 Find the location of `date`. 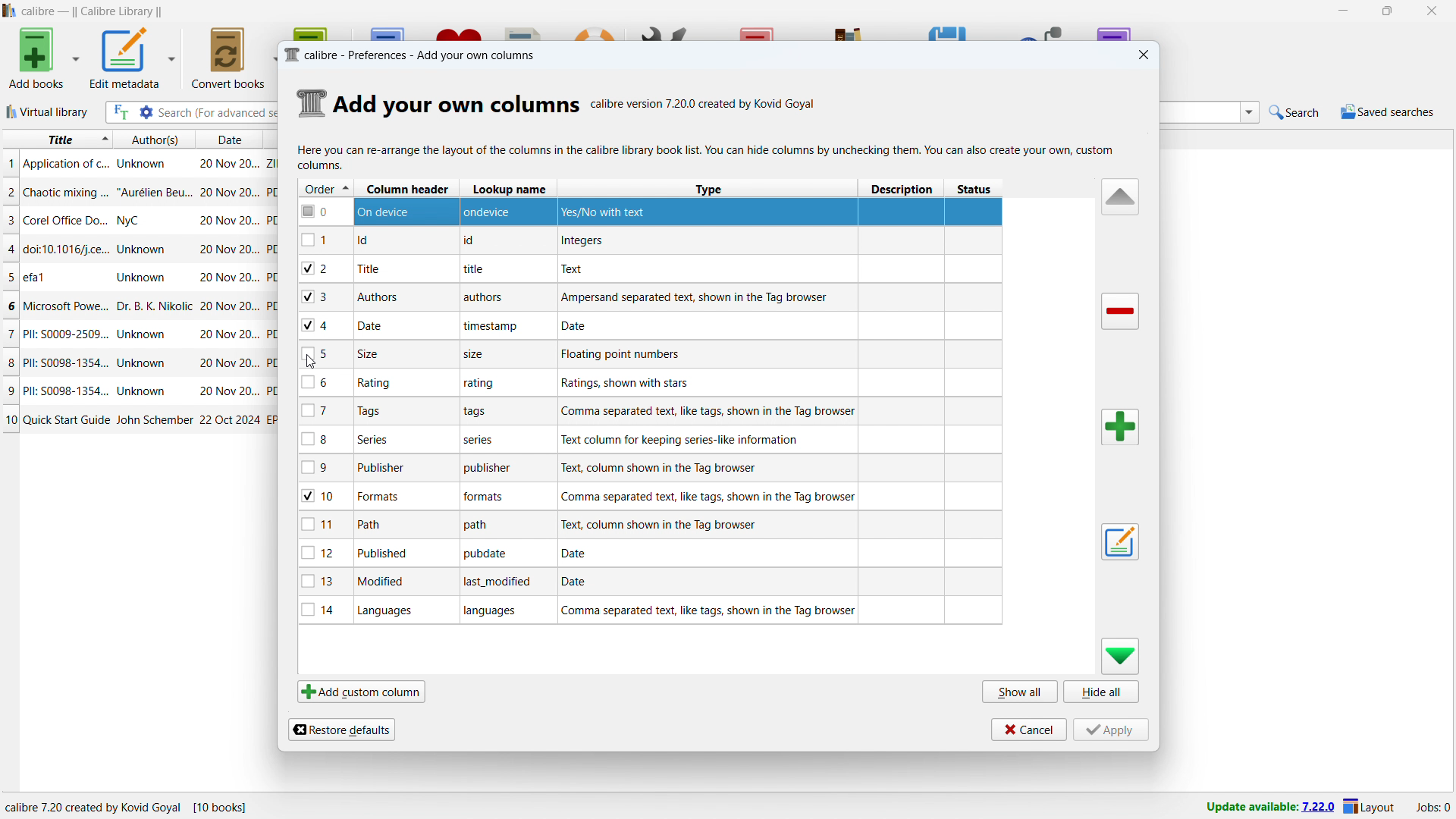

date is located at coordinates (227, 193).